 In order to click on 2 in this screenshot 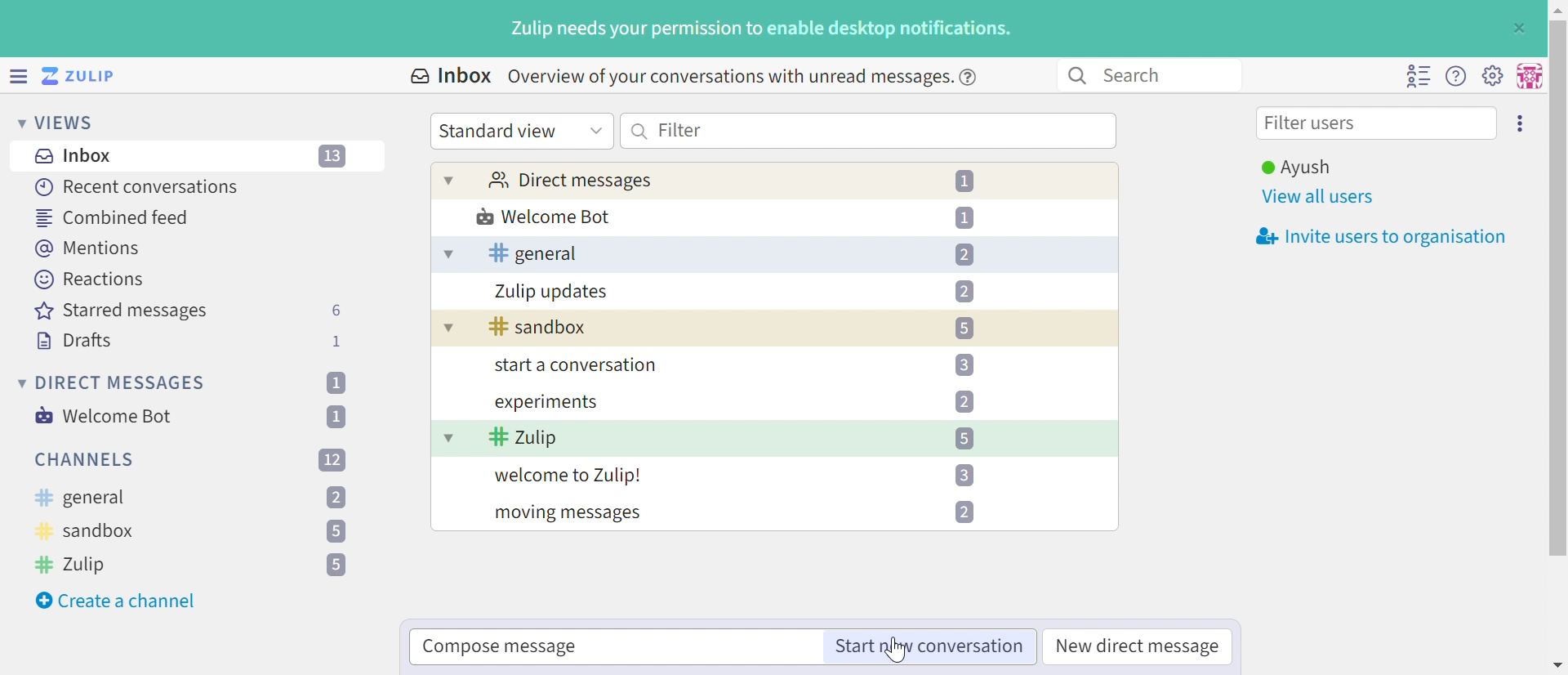, I will do `click(964, 255)`.